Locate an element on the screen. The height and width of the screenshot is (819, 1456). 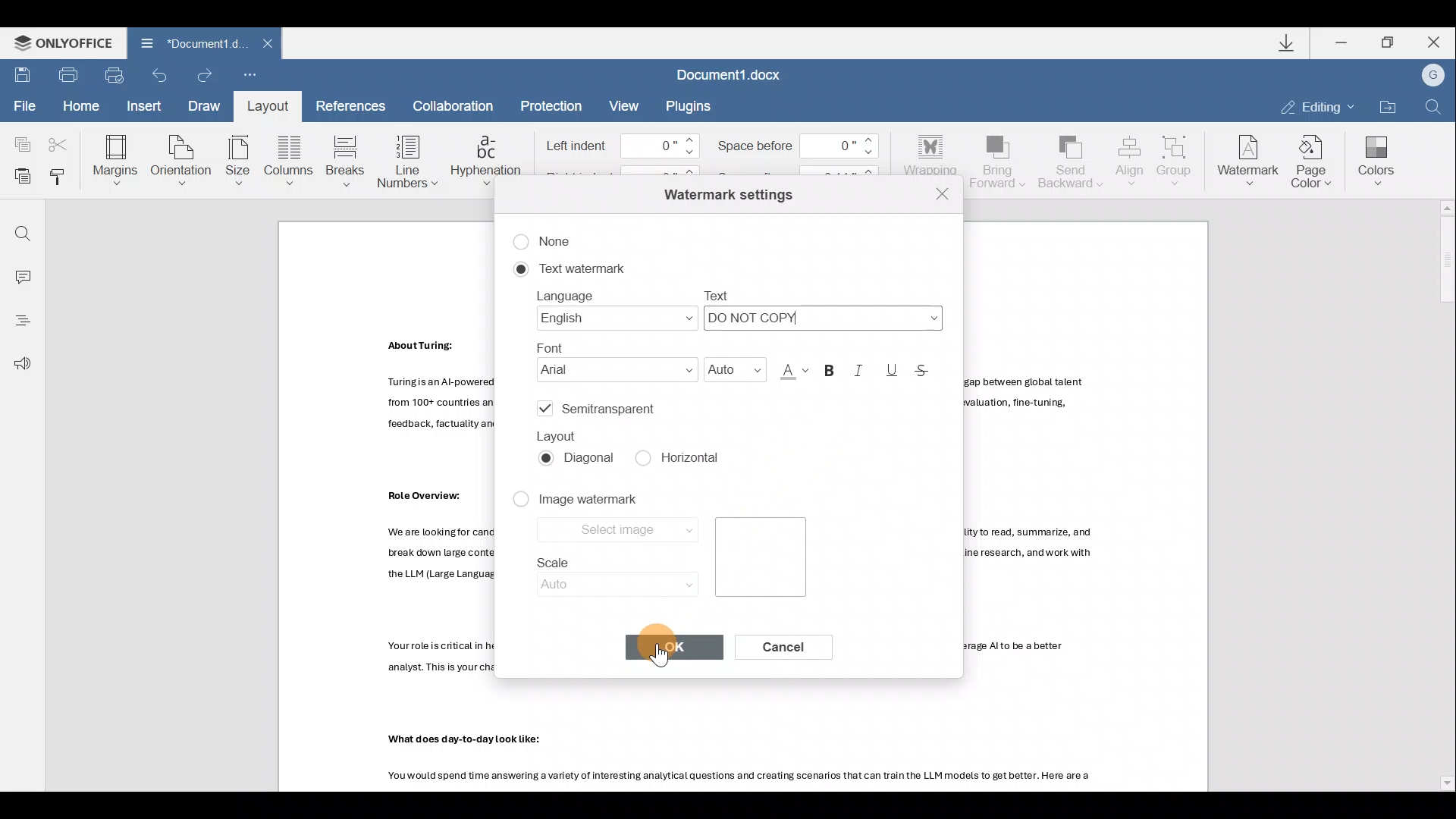
Cut is located at coordinates (58, 142).